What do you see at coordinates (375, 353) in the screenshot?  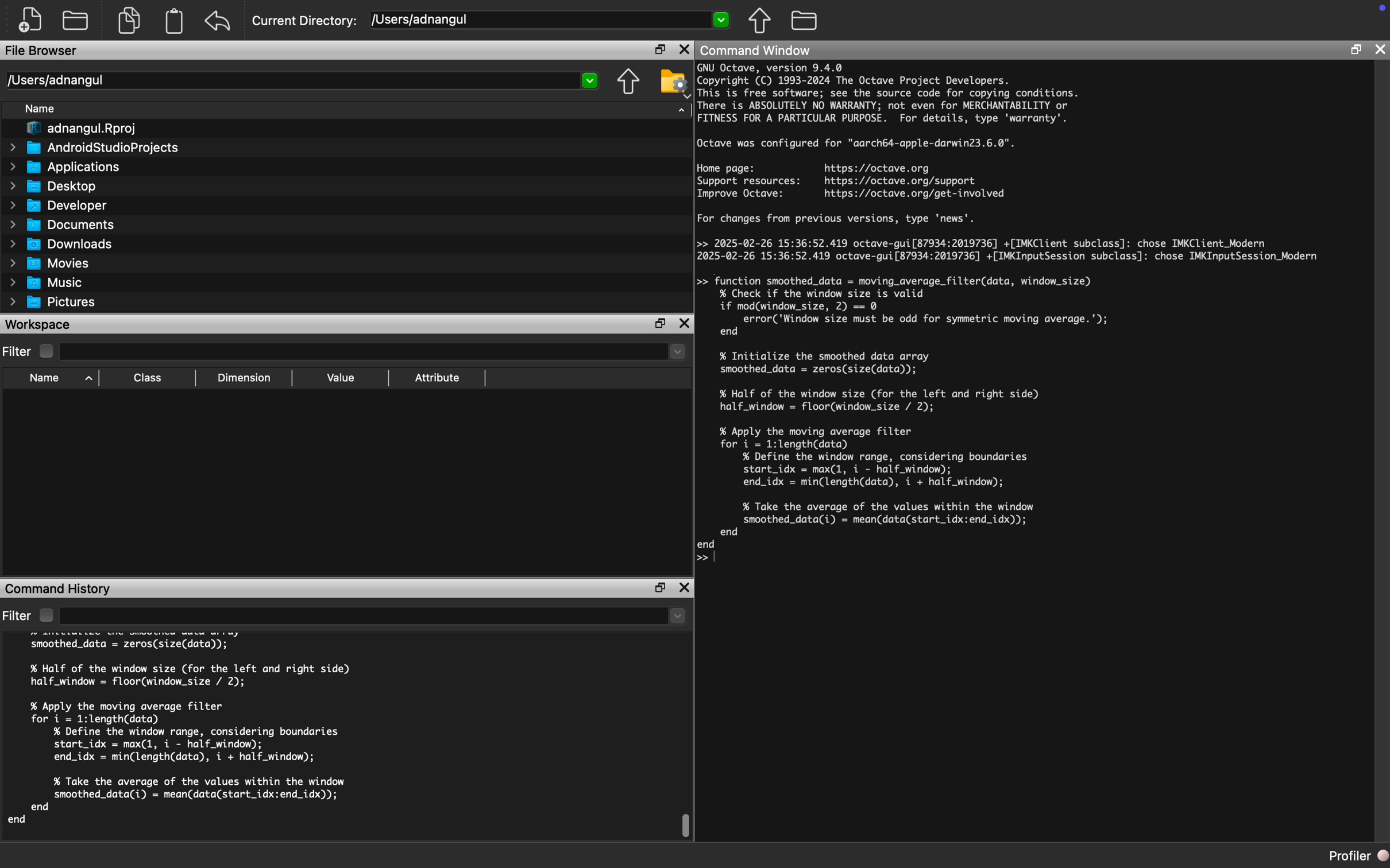 I see `Dropdown` at bounding box center [375, 353].